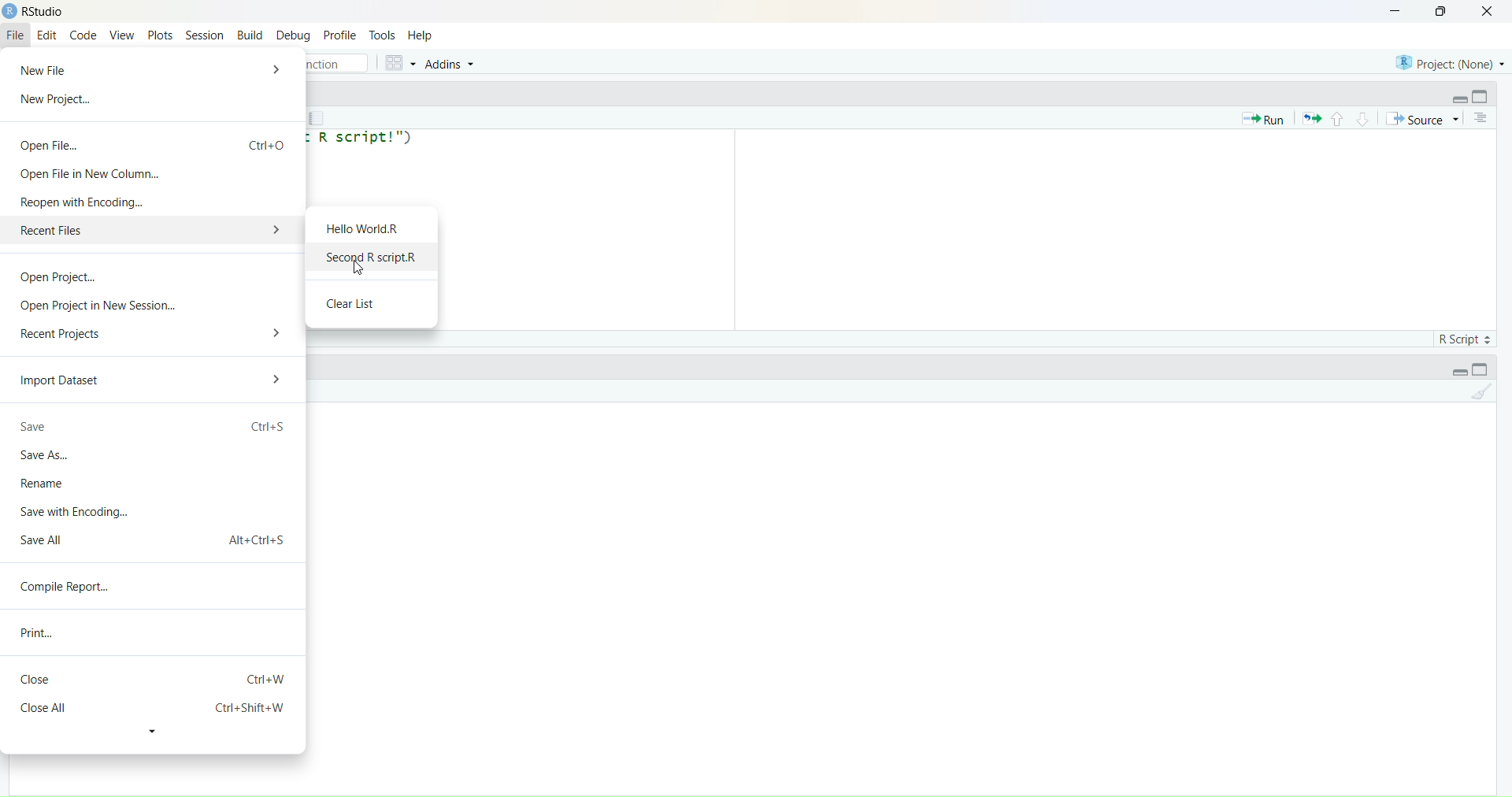 This screenshot has height=797, width=1512. What do you see at coordinates (420, 36) in the screenshot?
I see `Help` at bounding box center [420, 36].